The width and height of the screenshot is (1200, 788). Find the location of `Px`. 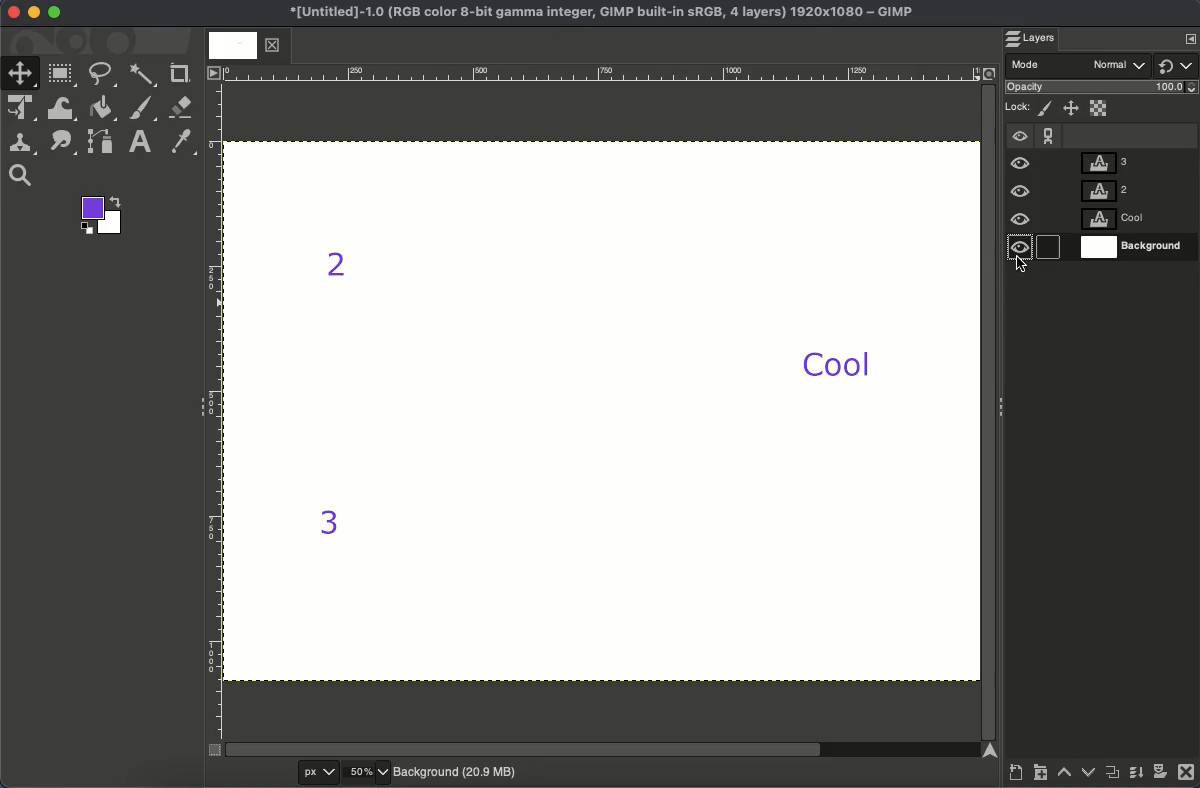

Px is located at coordinates (315, 773).